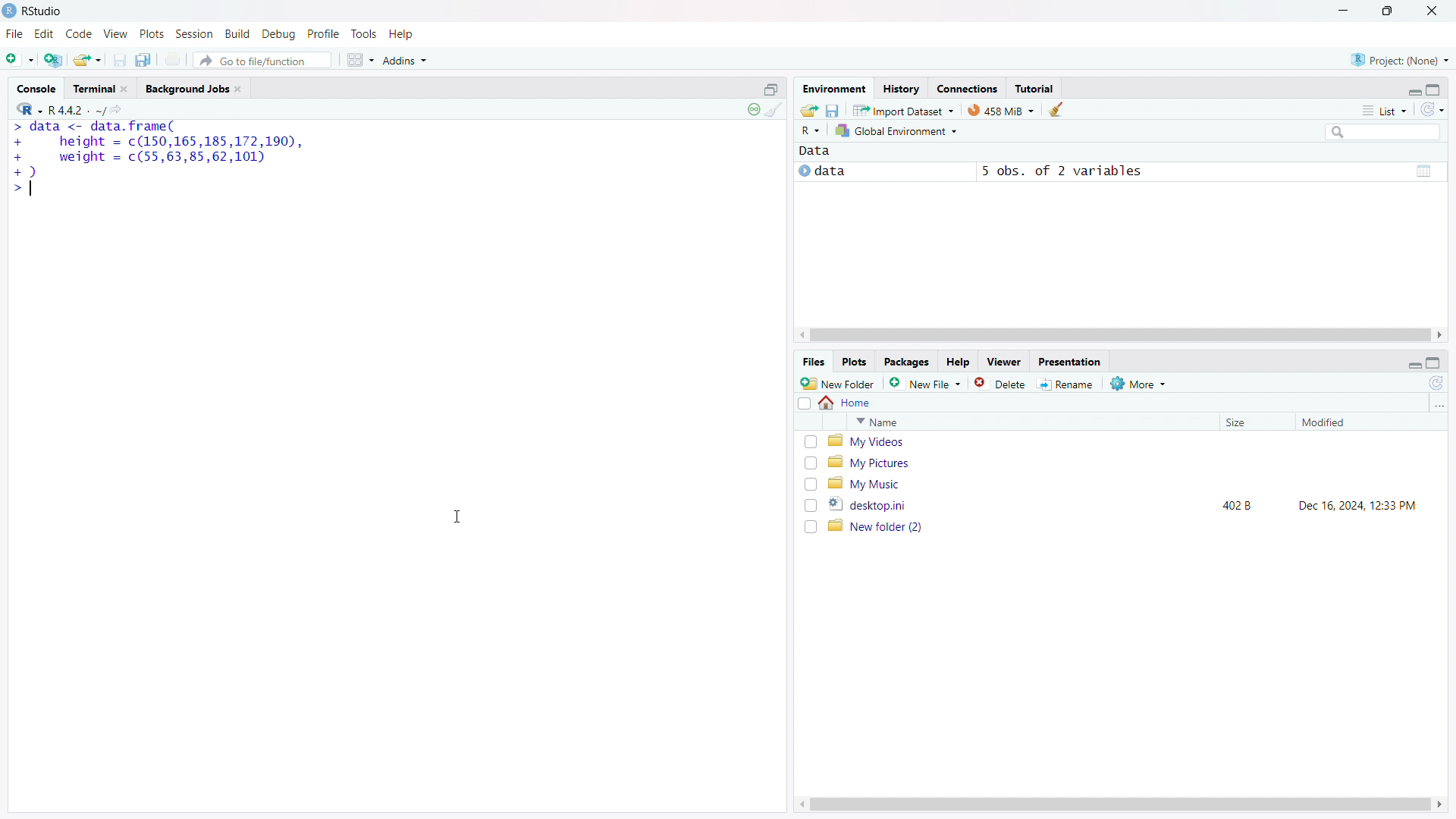  What do you see at coordinates (119, 108) in the screenshot?
I see `view the current working directory` at bounding box center [119, 108].